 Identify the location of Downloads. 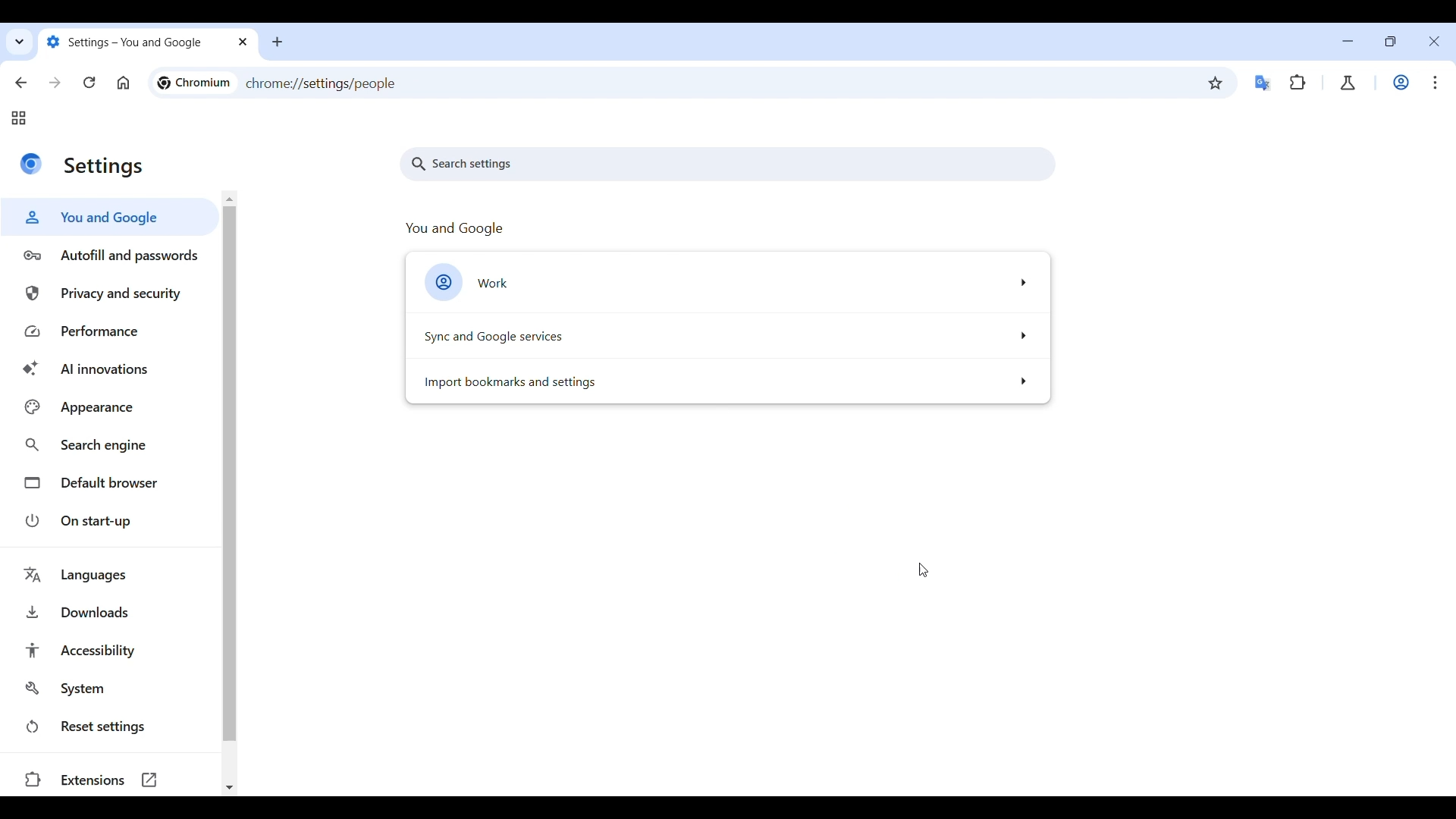
(110, 612).